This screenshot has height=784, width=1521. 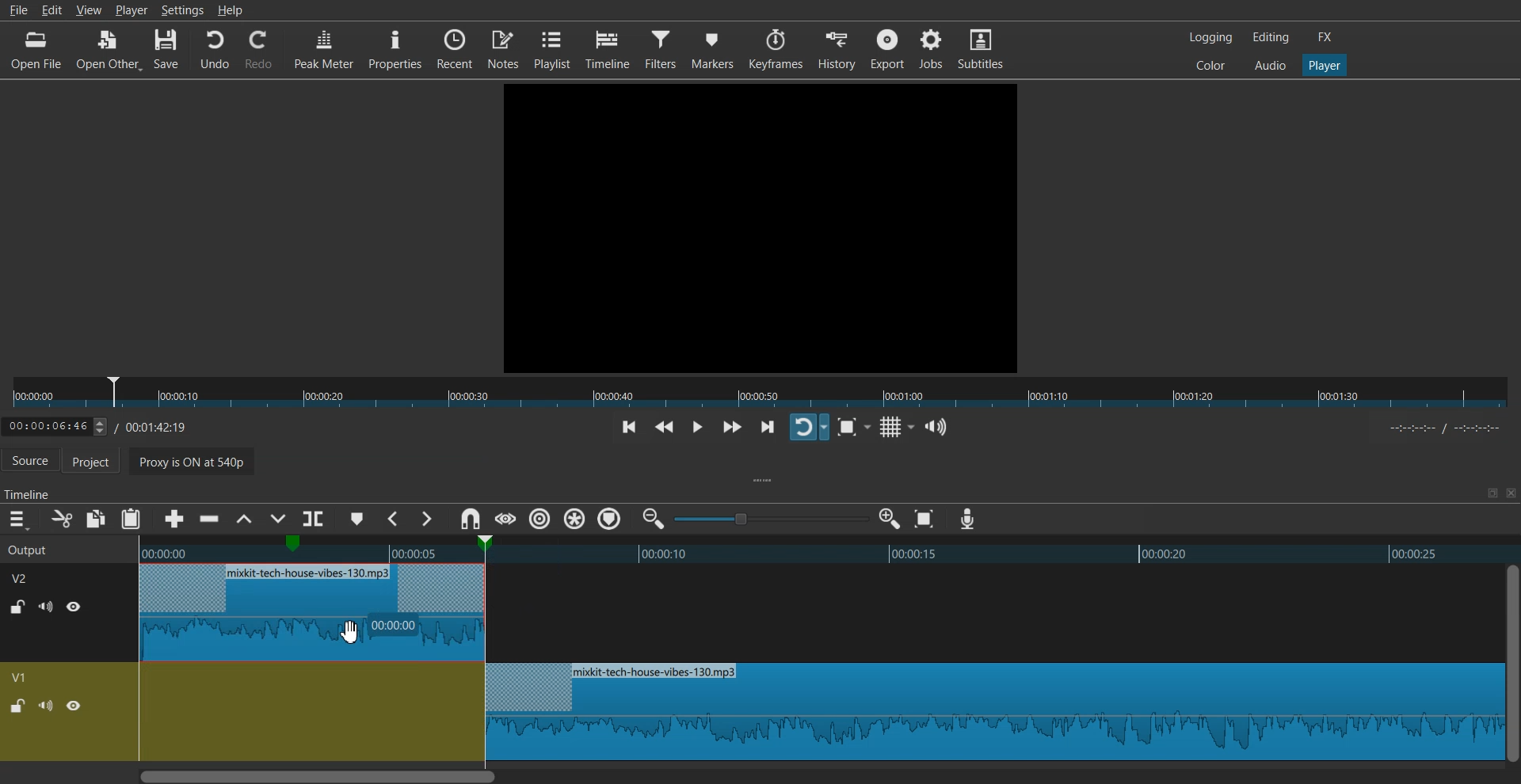 What do you see at coordinates (167, 50) in the screenshot?
I see `Save` at bounding box center [167, 50].